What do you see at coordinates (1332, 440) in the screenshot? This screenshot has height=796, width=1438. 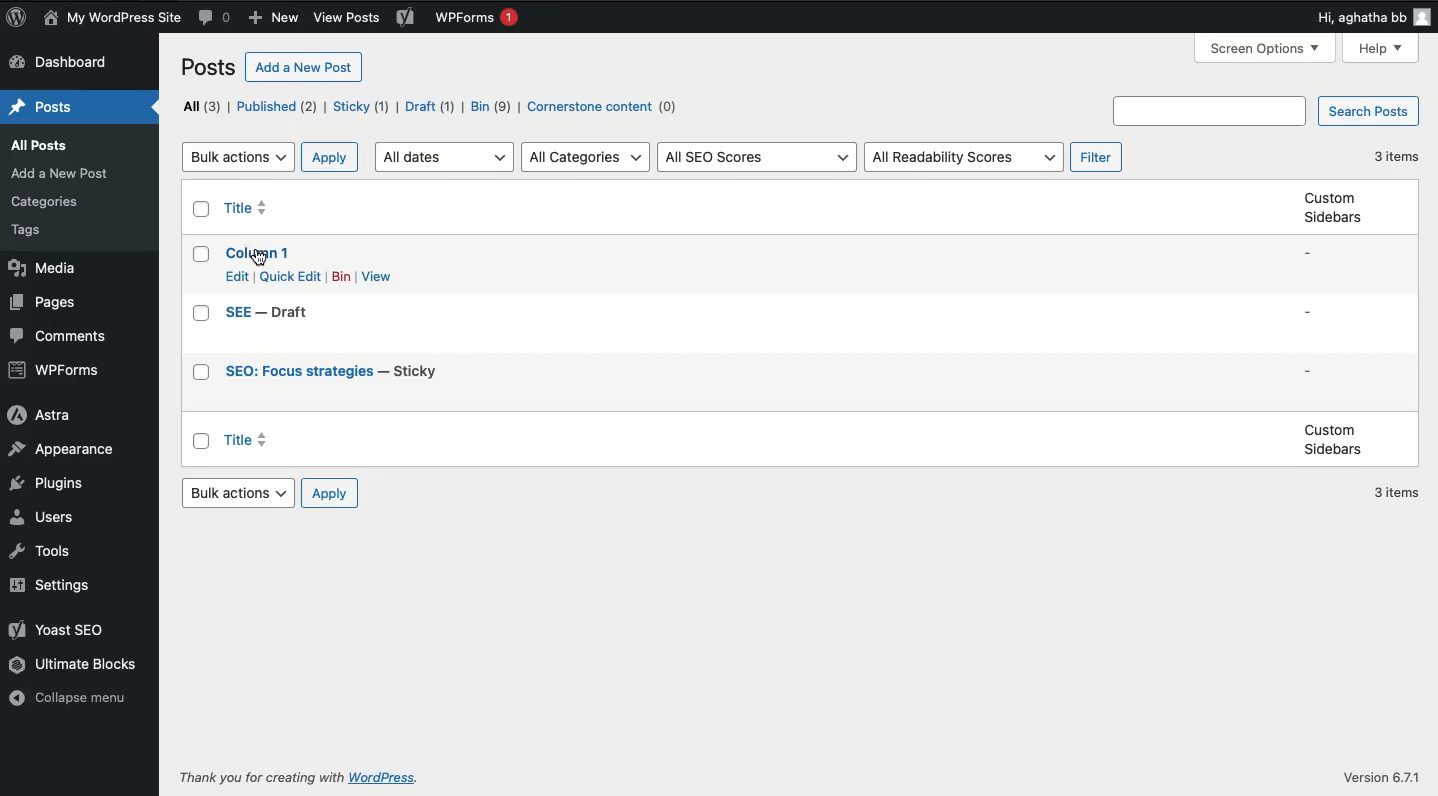 I see `Custom sidebars` at bounding box center [1332, 440].